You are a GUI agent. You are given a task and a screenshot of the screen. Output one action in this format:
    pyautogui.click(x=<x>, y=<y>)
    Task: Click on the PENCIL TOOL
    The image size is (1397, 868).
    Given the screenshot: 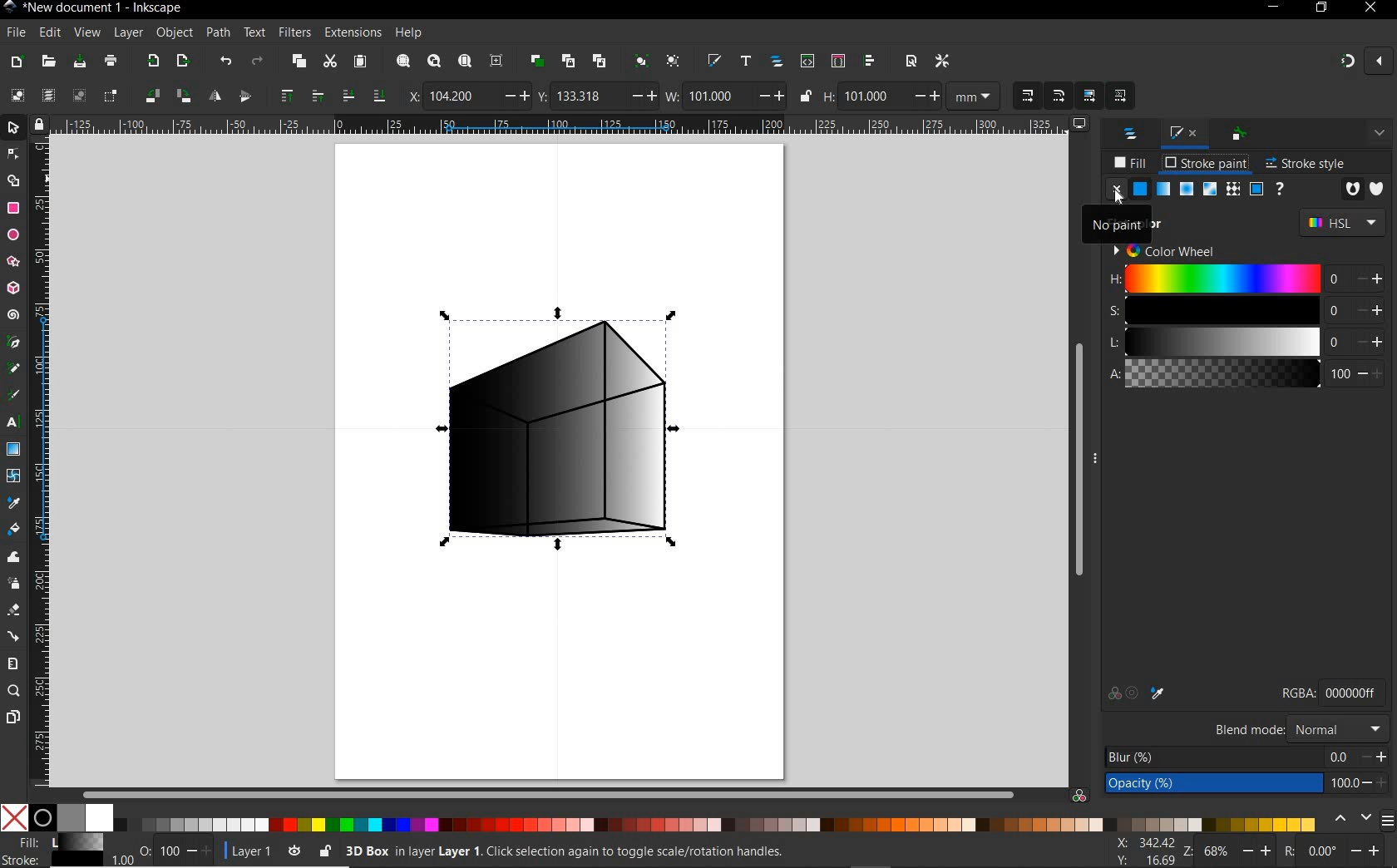 What is the action you would take?
    pyautogui.click(x=14, y=370)
    